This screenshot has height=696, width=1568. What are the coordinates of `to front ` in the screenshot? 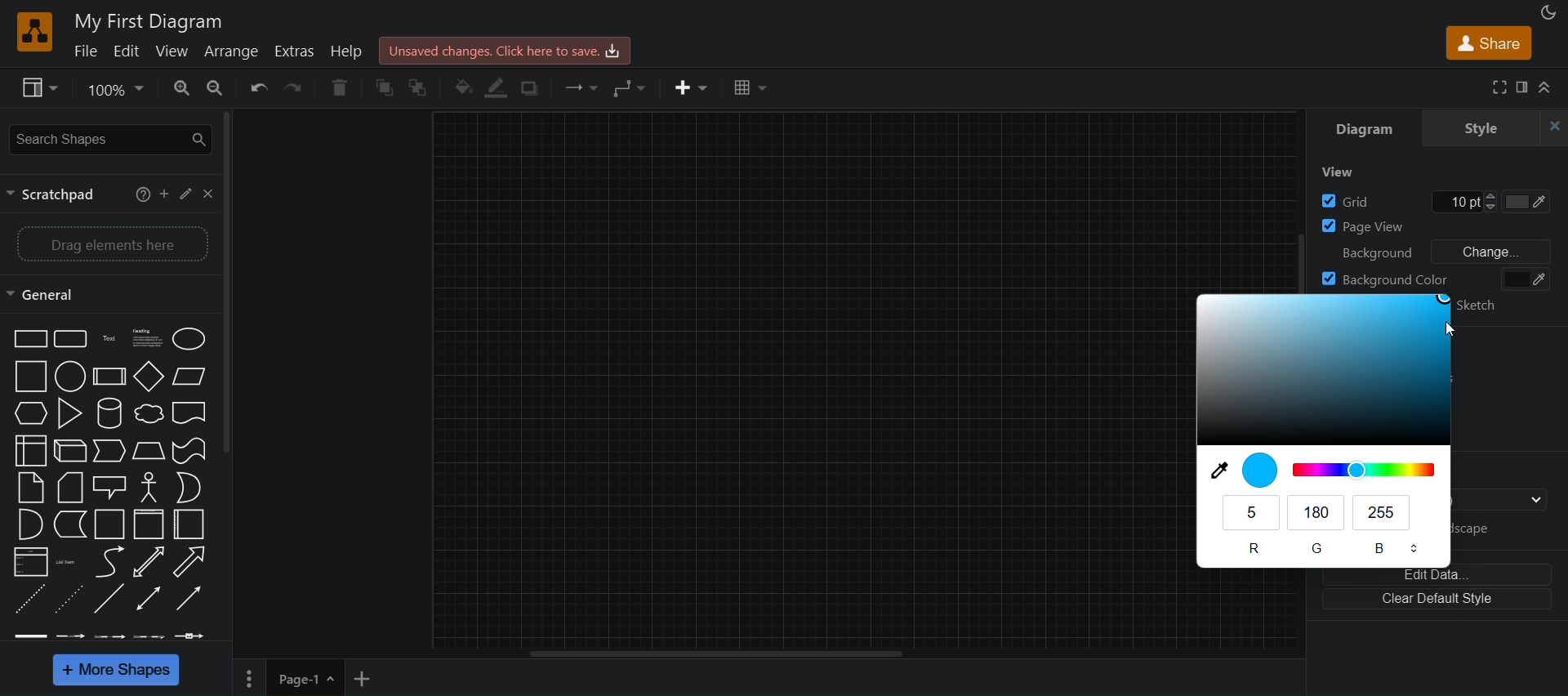 It's located at (385, 87).